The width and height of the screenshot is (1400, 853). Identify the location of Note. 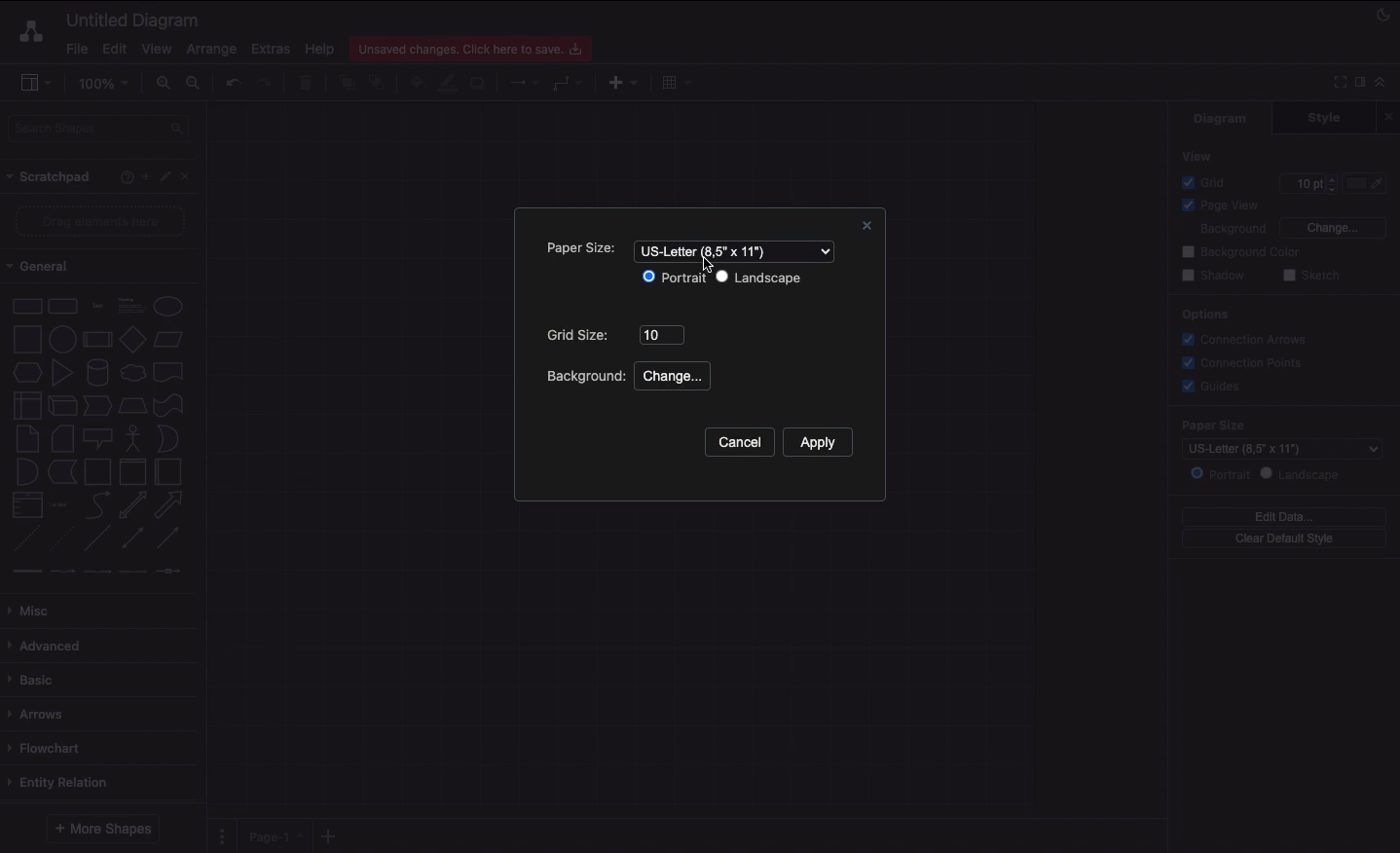
(25, 439).